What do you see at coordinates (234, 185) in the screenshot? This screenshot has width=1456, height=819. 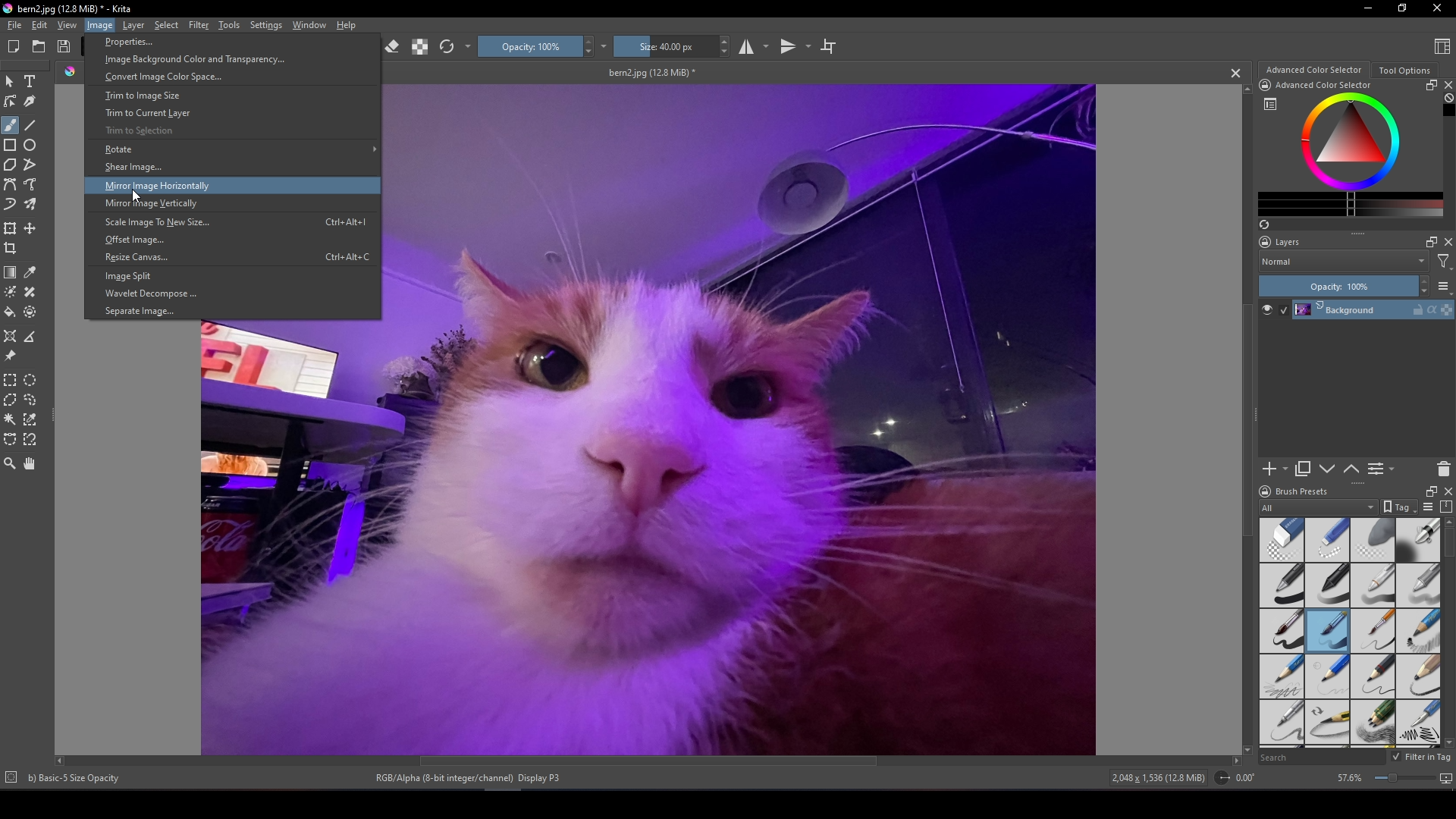 I see `Mirror image horizontally` at bounding box center [234, 185].